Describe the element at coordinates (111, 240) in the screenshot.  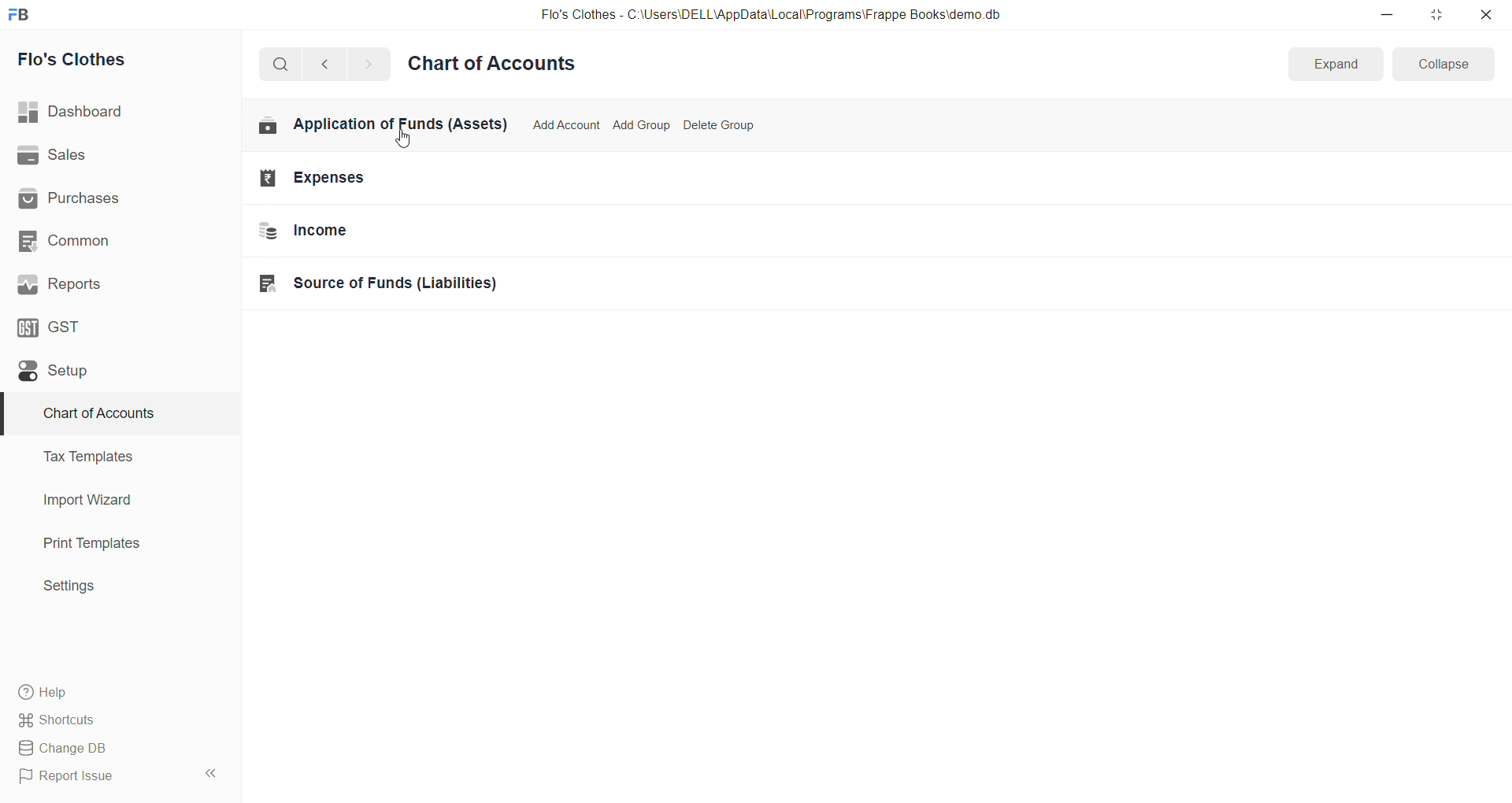
I see `Common` at that location.